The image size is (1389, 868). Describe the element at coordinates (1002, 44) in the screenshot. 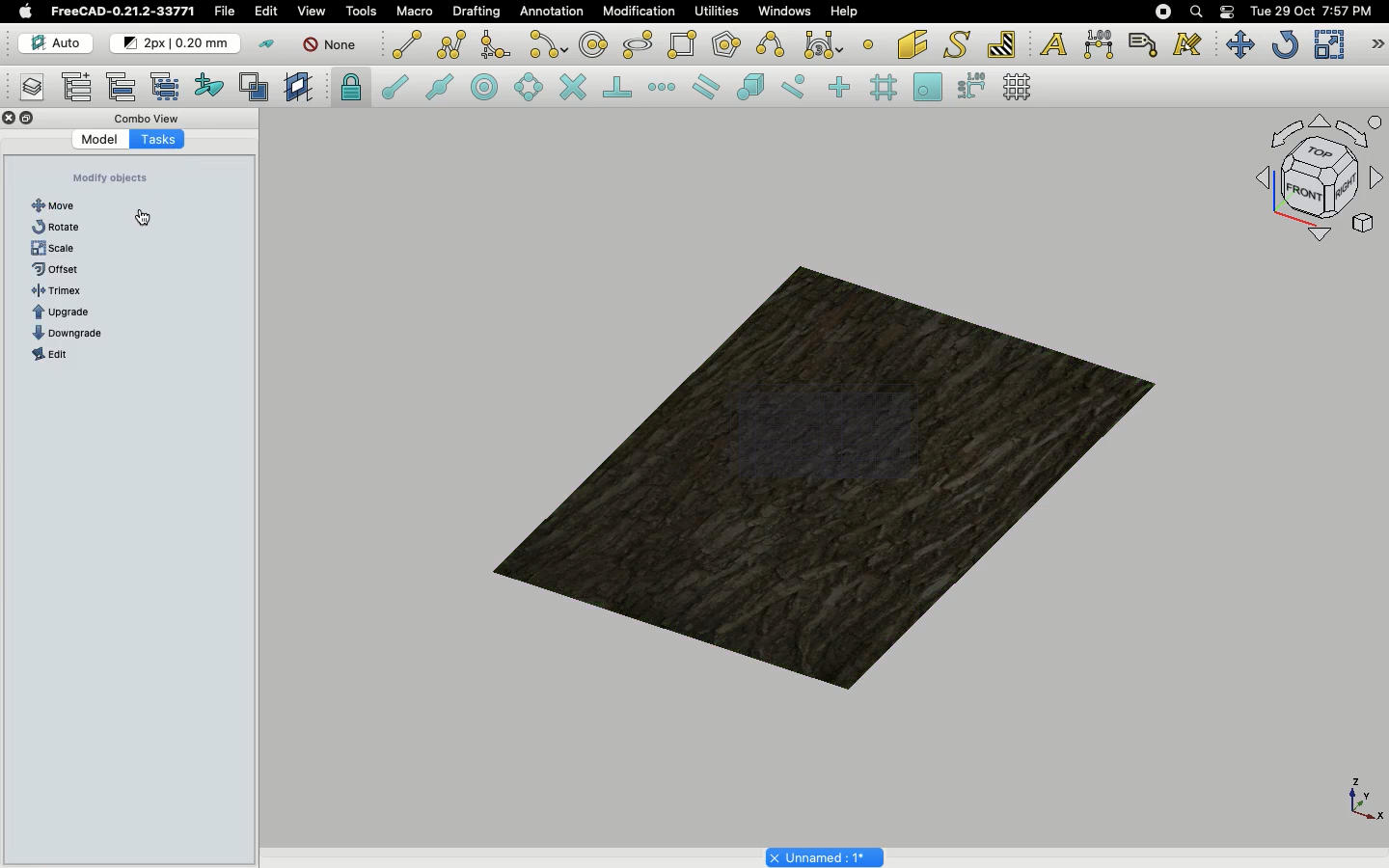

I see `Hatch` at that location.